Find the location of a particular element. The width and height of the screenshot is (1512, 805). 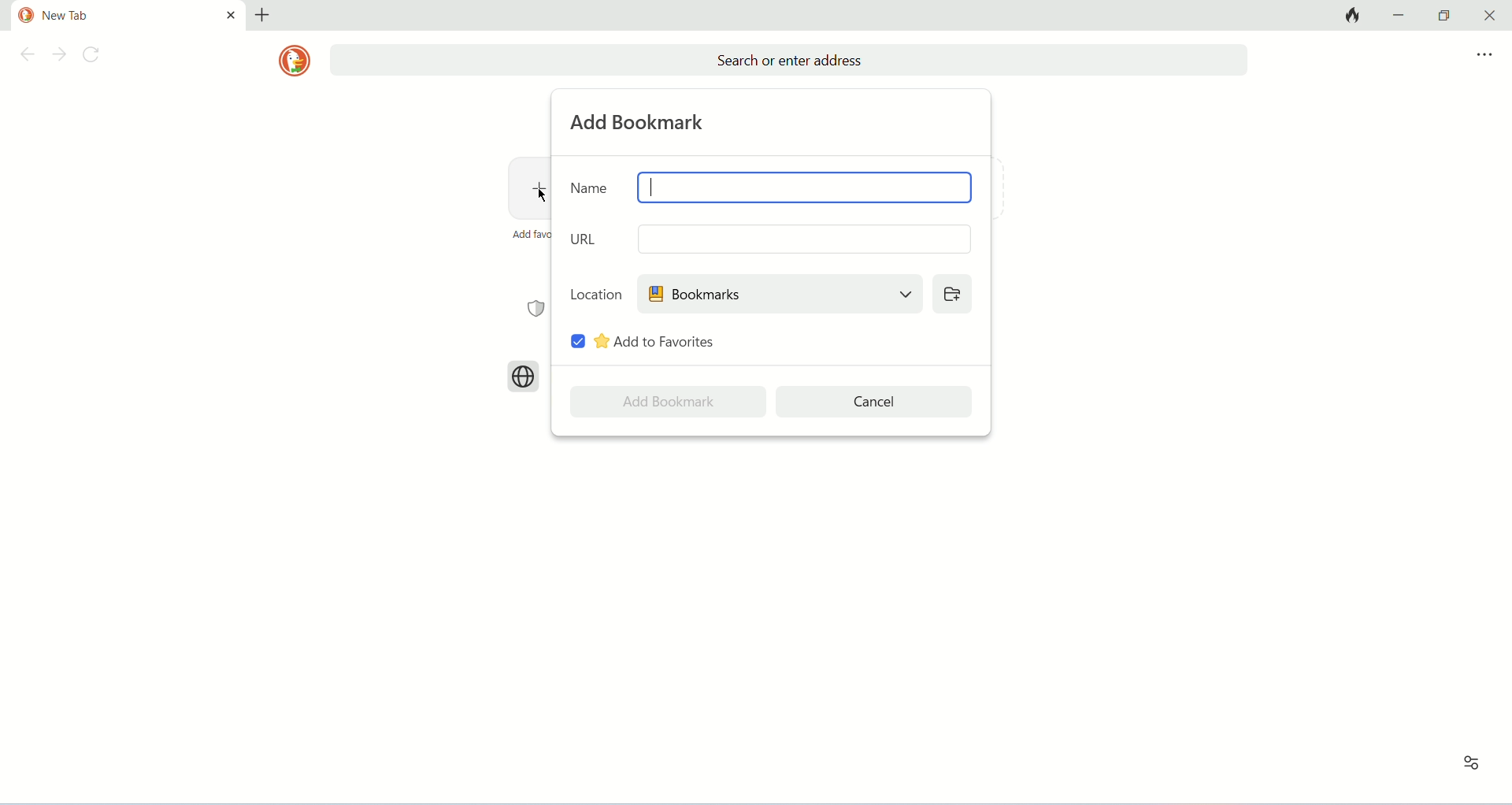

add to favorites is located at coordinates (656, 341).